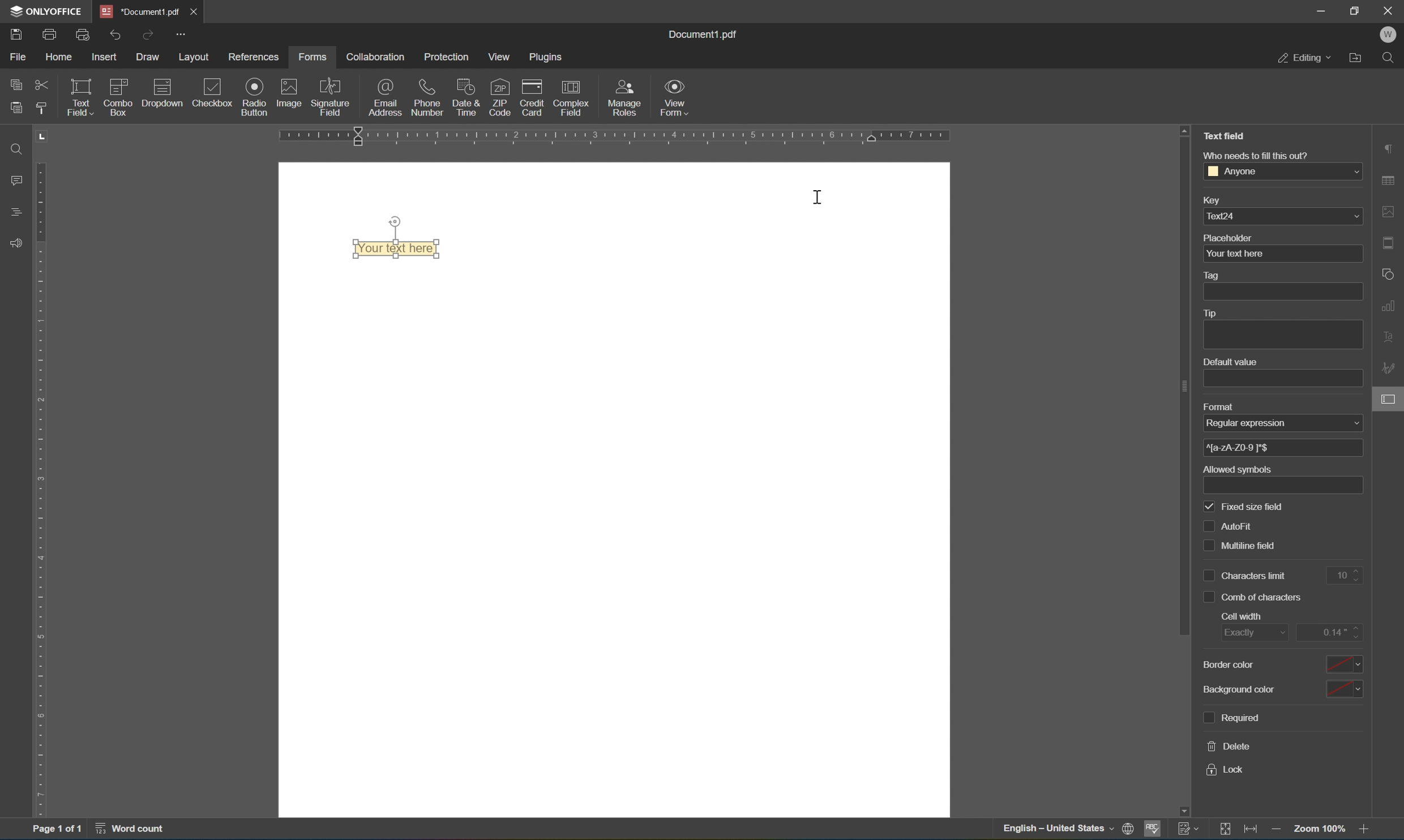  I want to click on copy style, so click(40, 108).